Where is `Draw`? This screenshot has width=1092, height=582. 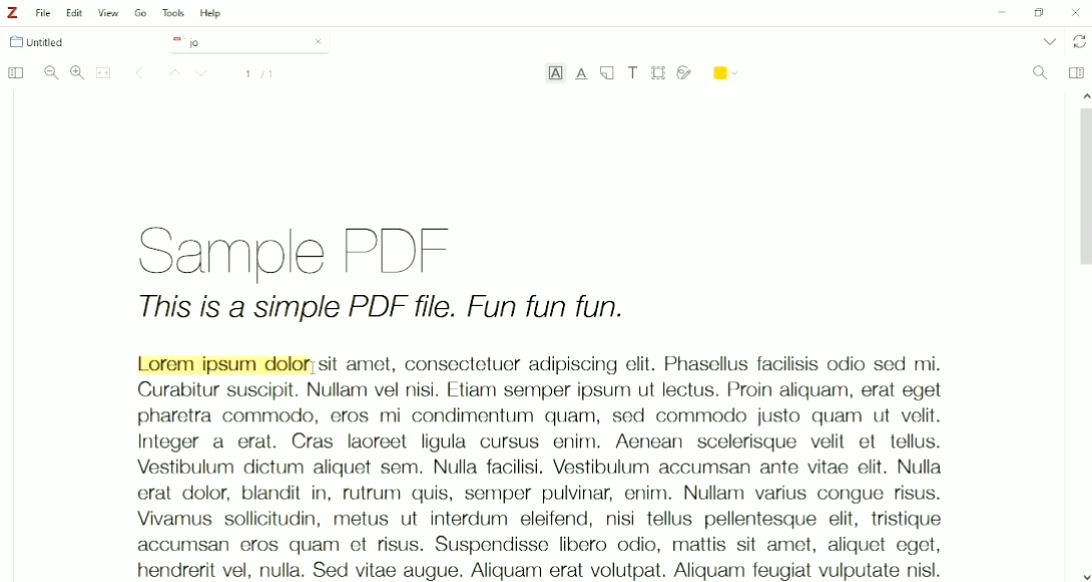 Draw is located at coordinates (685, 71).